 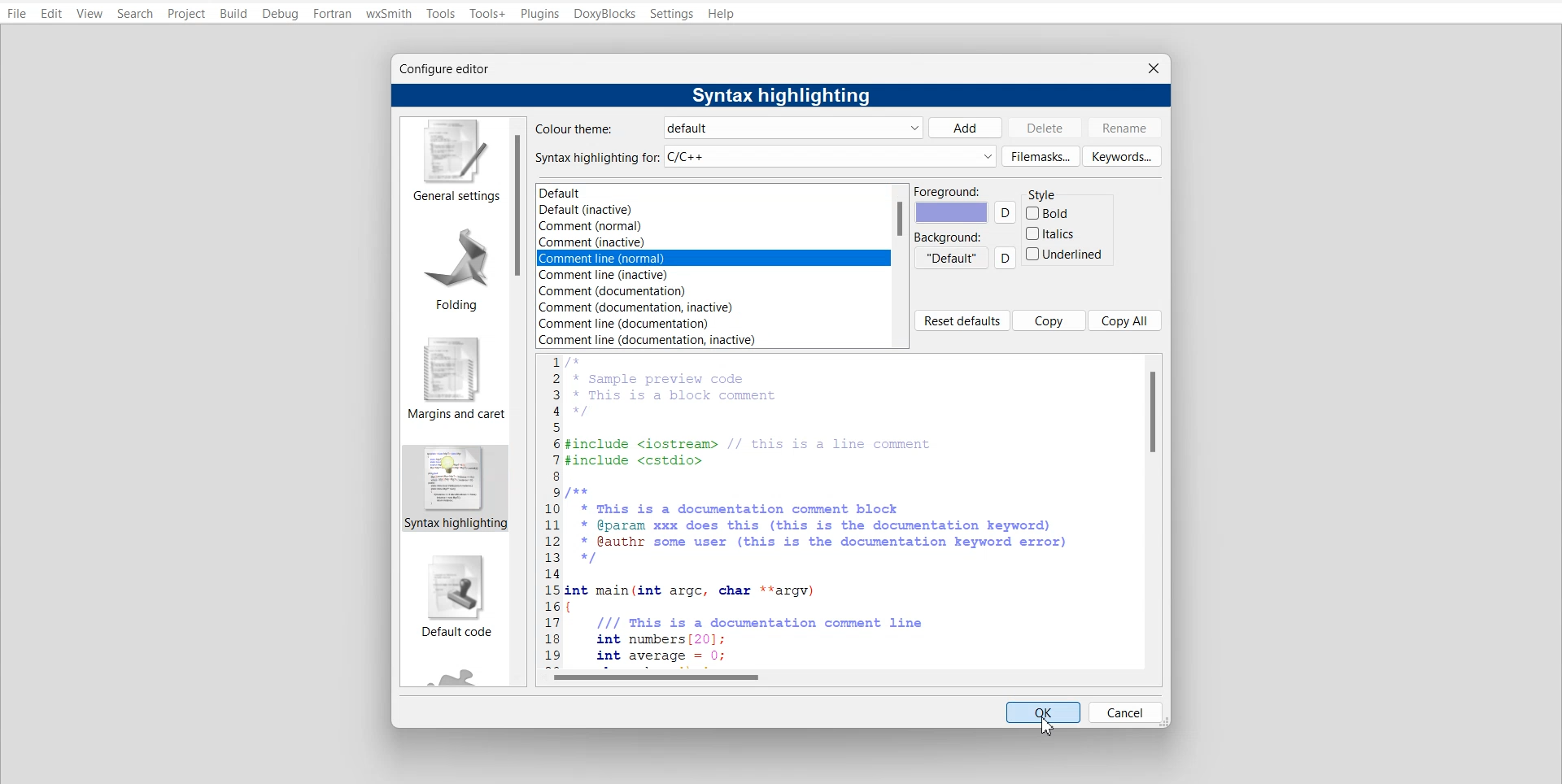 What do you see at coordinates (1049, 320) in the screenshot?
I see `Copy` at bounding box center [1049, 320].